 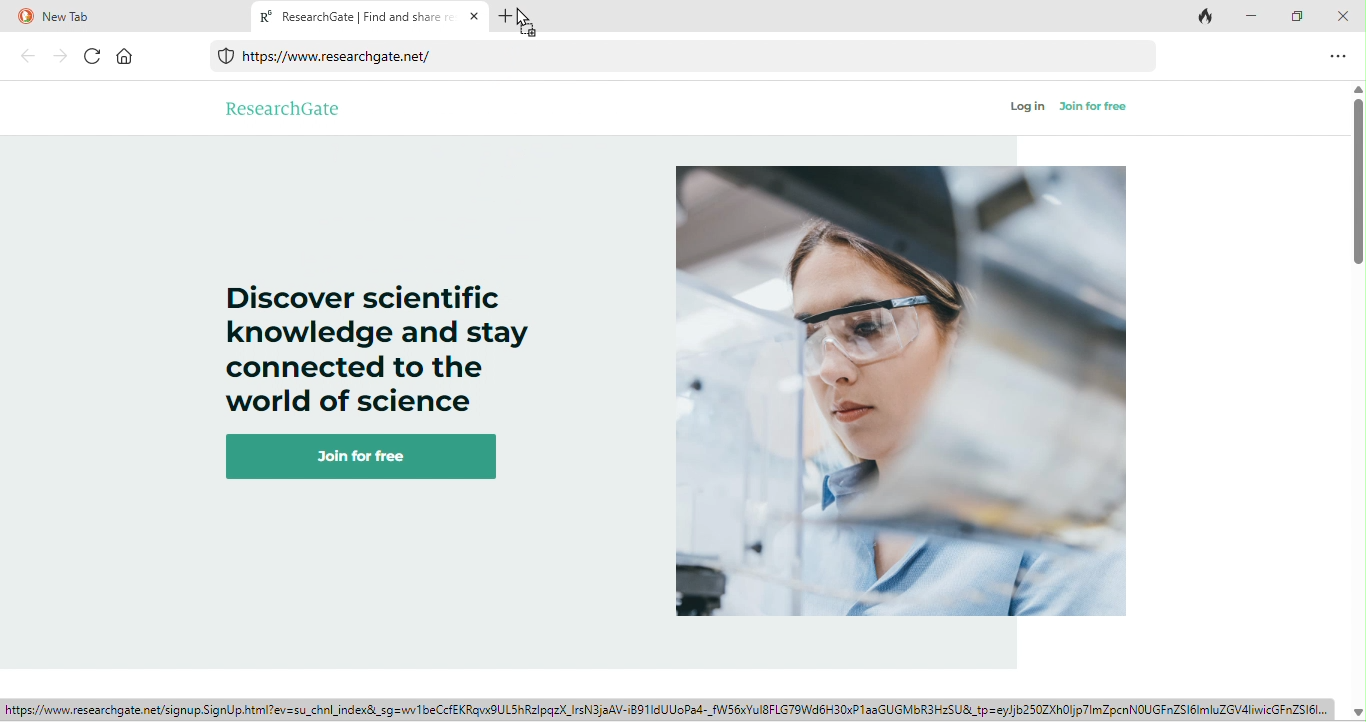 What do you see at coordinates (508, 15) in the screenshot?
I see `add` at bounding box center [508, 15].